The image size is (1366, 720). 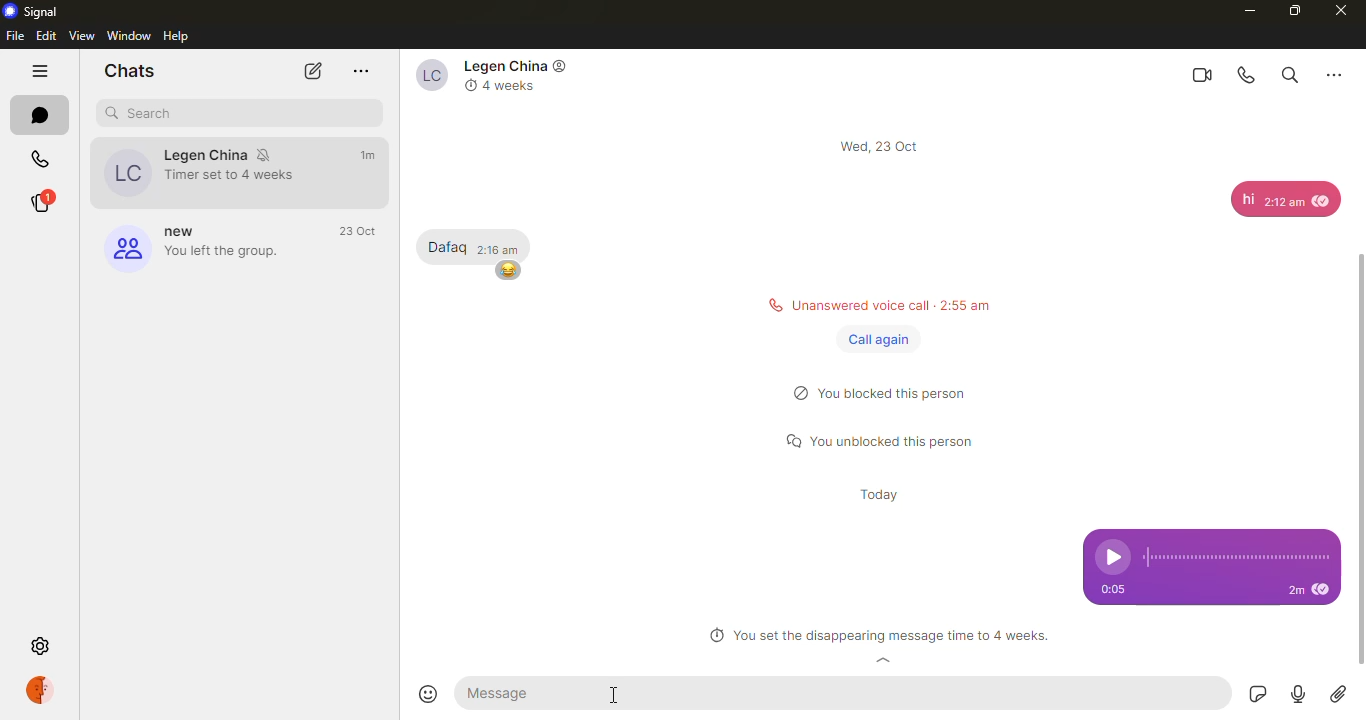 What do you see at coordinates (190, 246) in the screenshot?
I see `new You left the group.` at bounding box center [190, 246].